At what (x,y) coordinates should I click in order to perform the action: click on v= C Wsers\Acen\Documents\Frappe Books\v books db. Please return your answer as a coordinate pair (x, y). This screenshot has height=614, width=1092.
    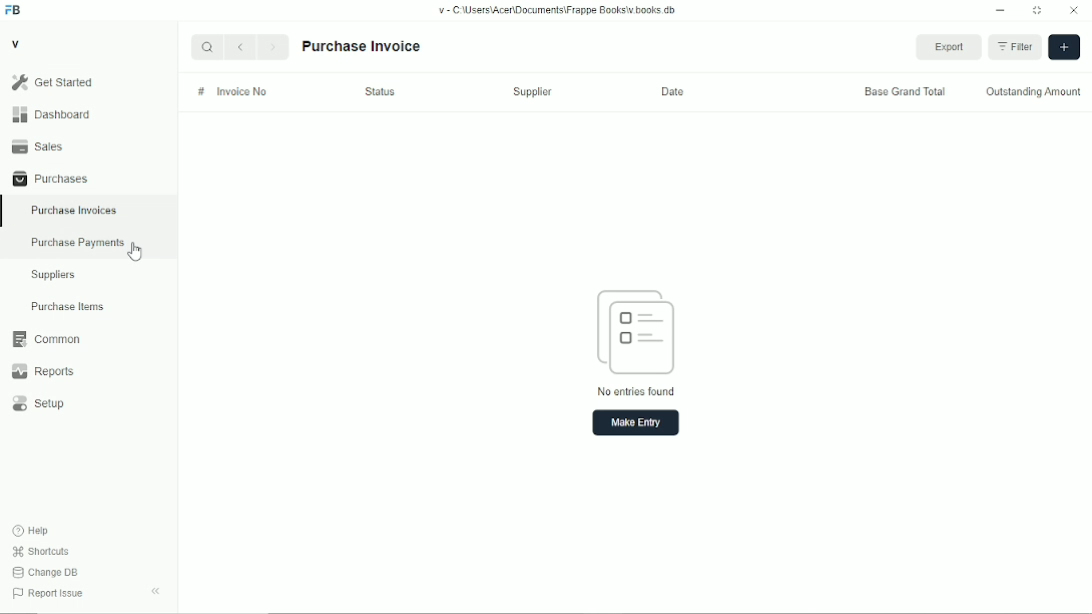
    Looking at the image, I should click on (558, 10).